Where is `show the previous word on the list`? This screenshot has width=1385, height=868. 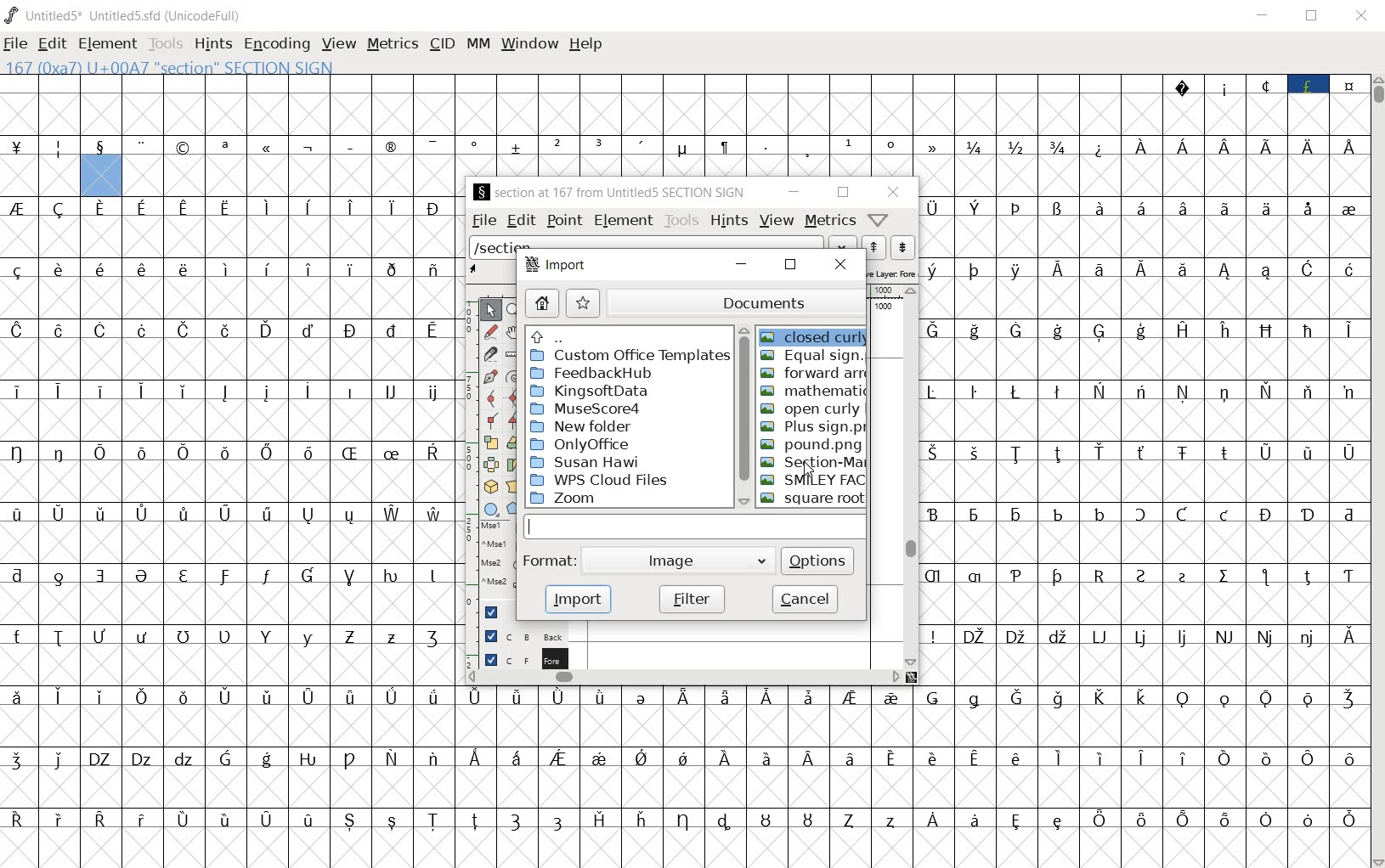 show the previous word on the list is located at coordinates (902, 247).